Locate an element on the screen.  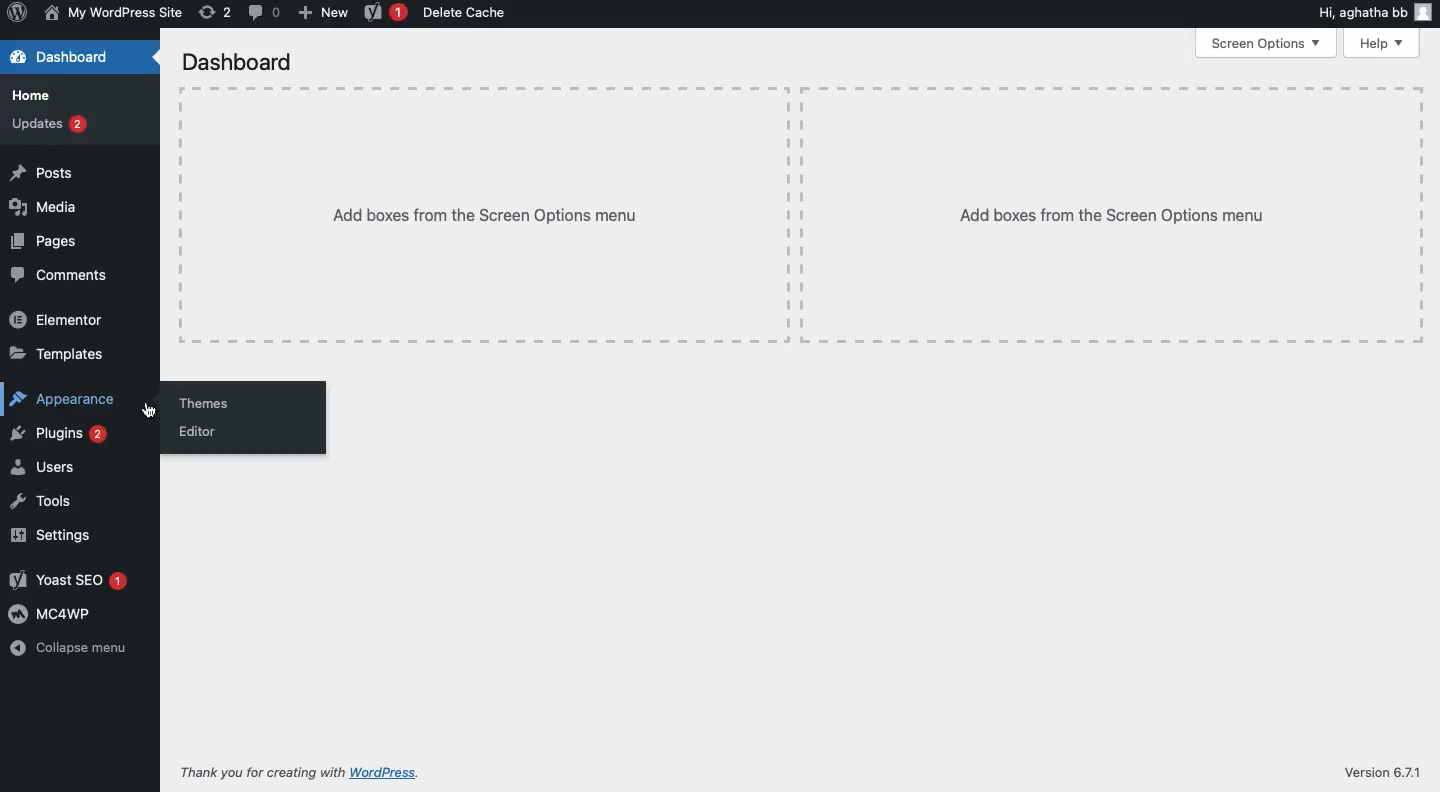
Elementor is located at coordinates (62, 318).